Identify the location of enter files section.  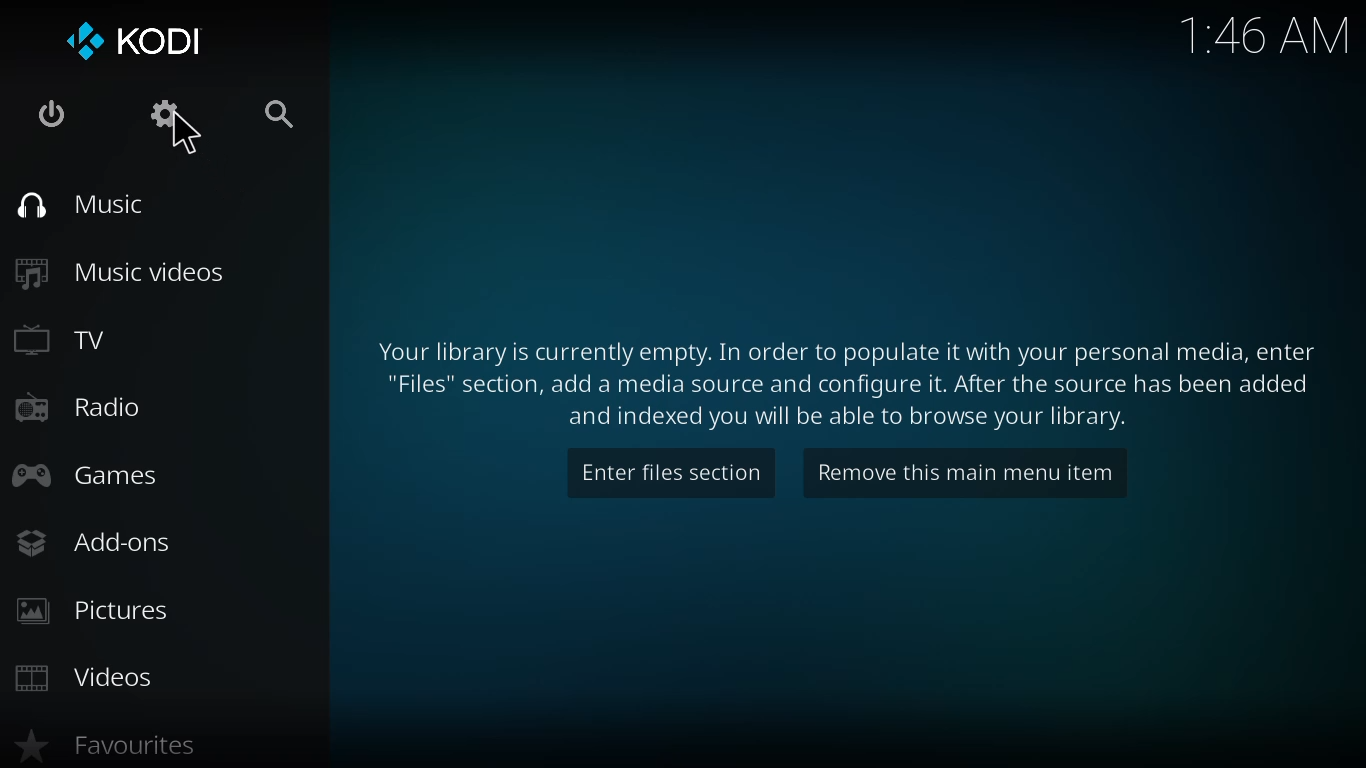
(670, 474).